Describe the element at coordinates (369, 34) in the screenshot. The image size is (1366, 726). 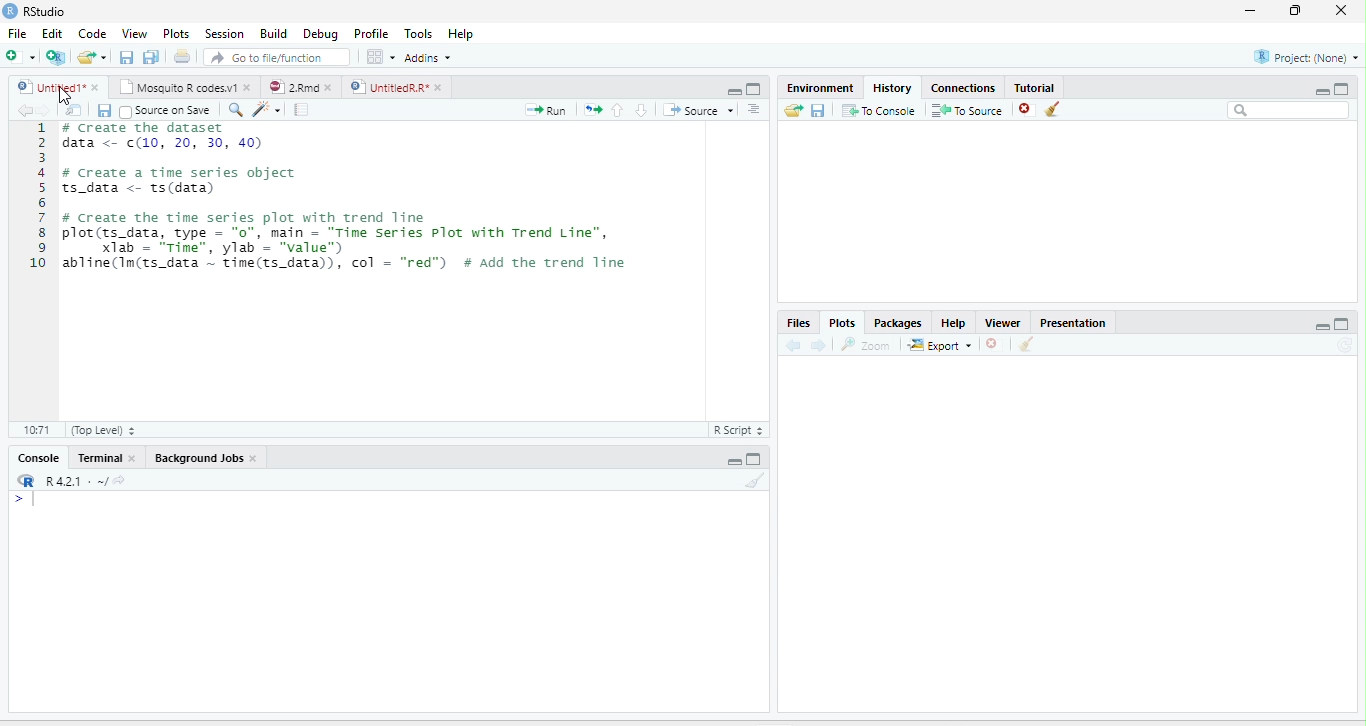
I see `Profile` at that location.